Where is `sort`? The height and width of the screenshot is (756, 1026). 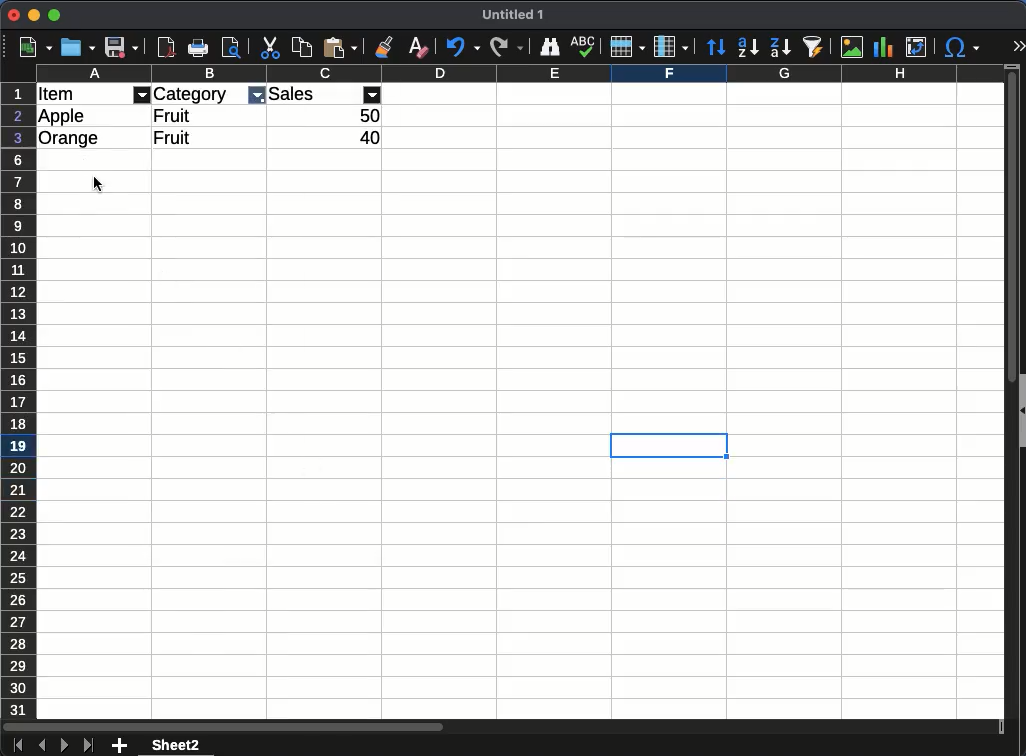
sort is located at coordinates (715, 45).